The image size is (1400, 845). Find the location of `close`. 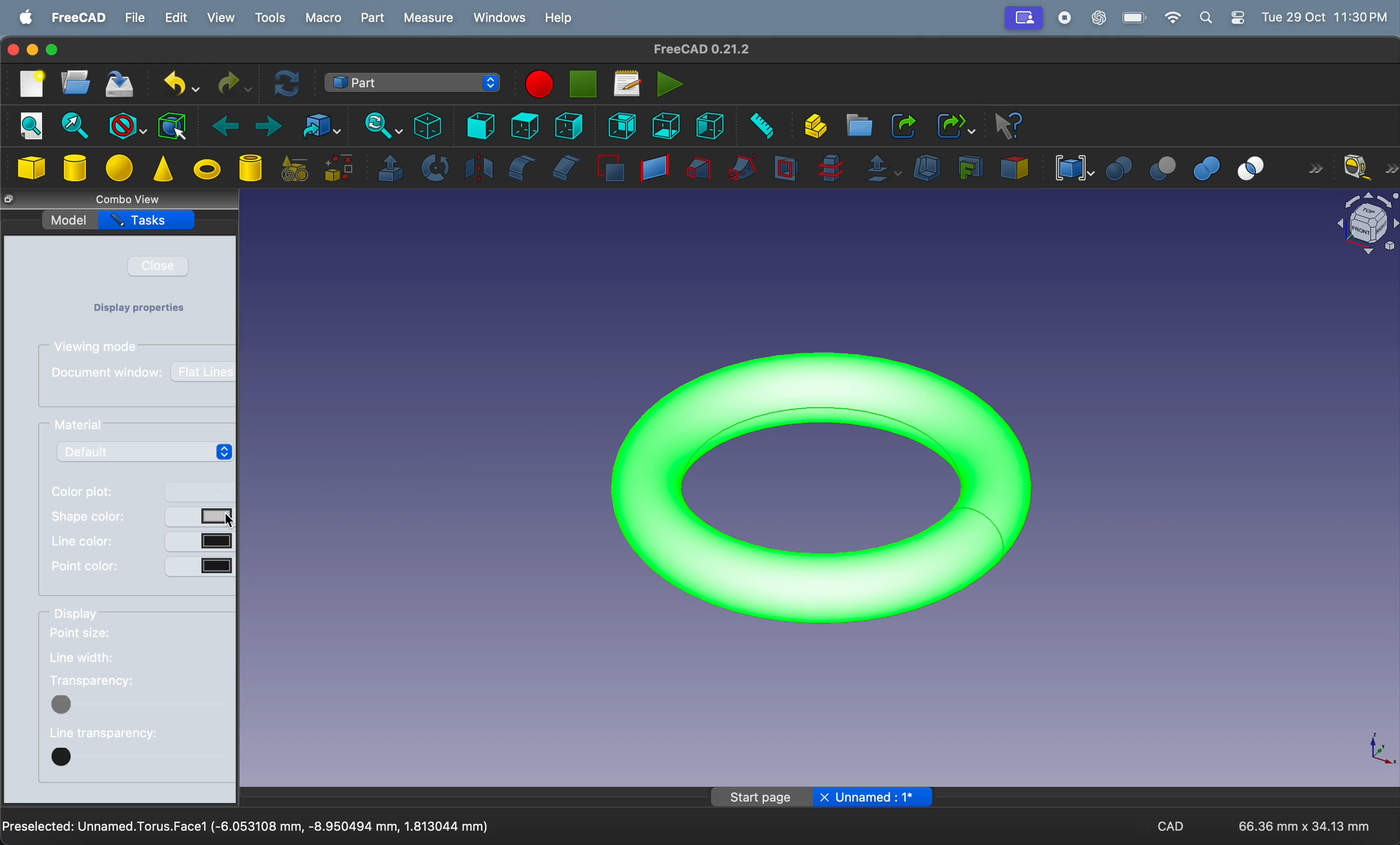

close is located at coordinates (9, 200).